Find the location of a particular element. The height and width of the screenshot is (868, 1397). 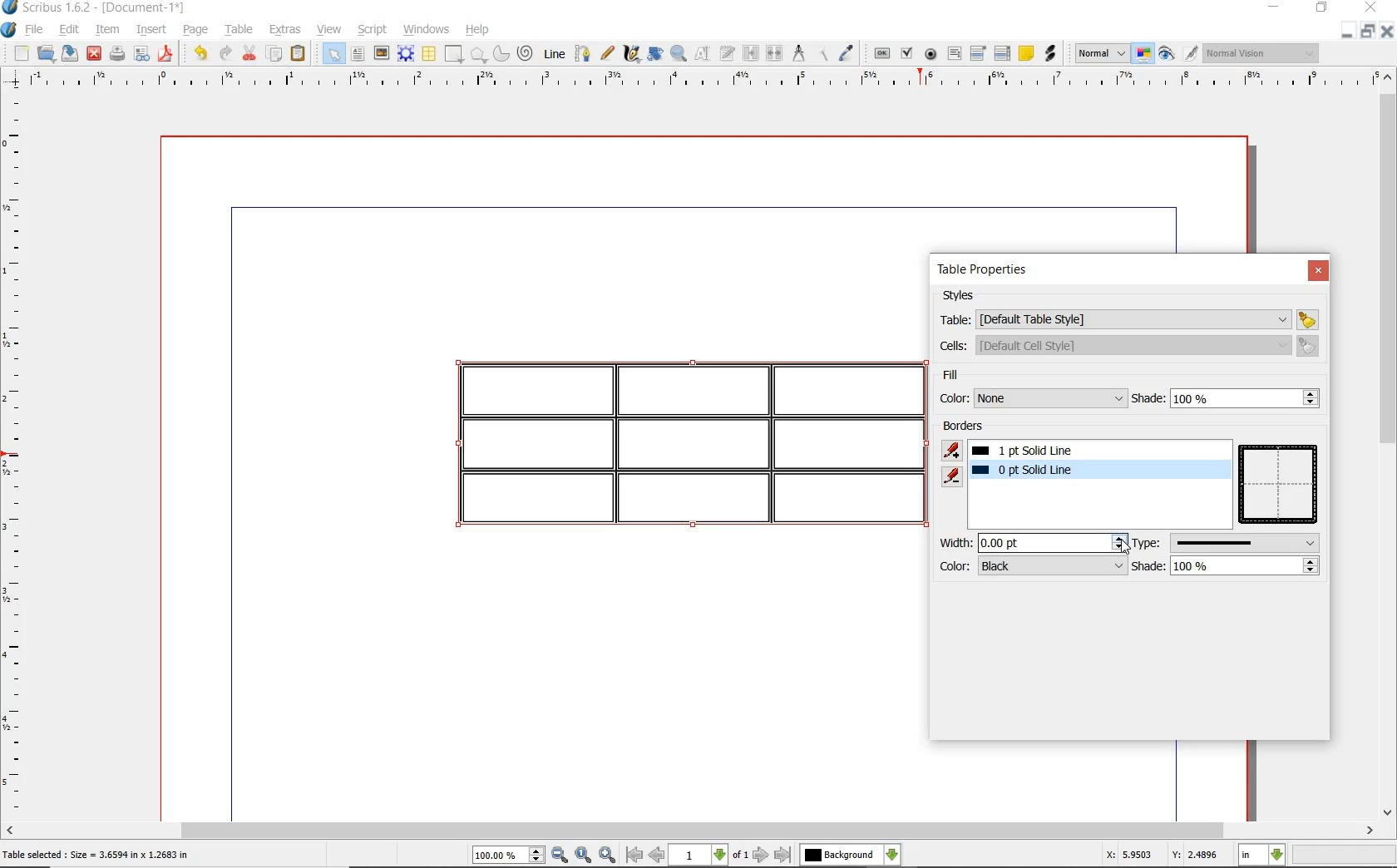

close is located at coordinates (1317, 270).